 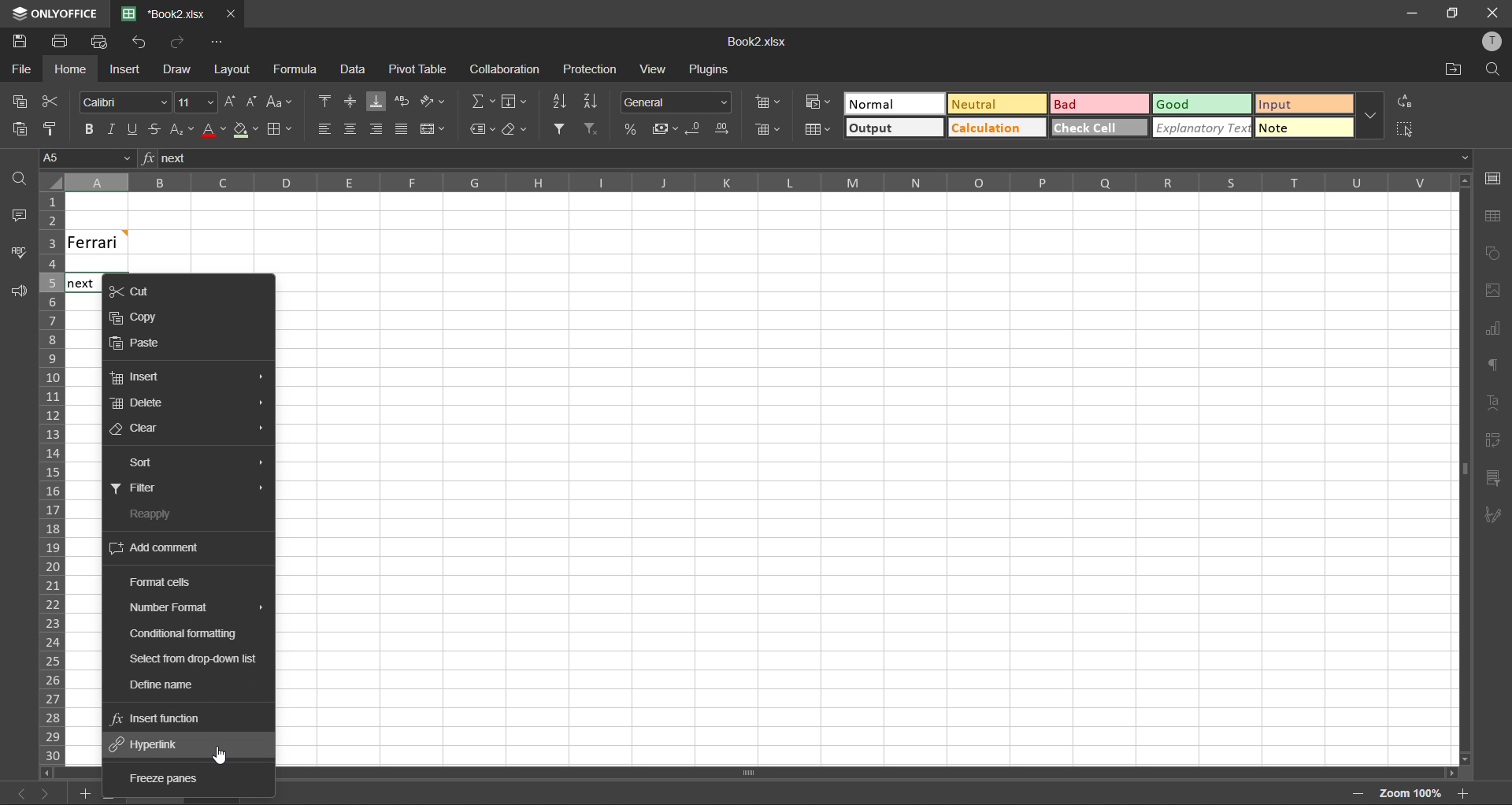 I want to click on save, so click(x=19, y=42).